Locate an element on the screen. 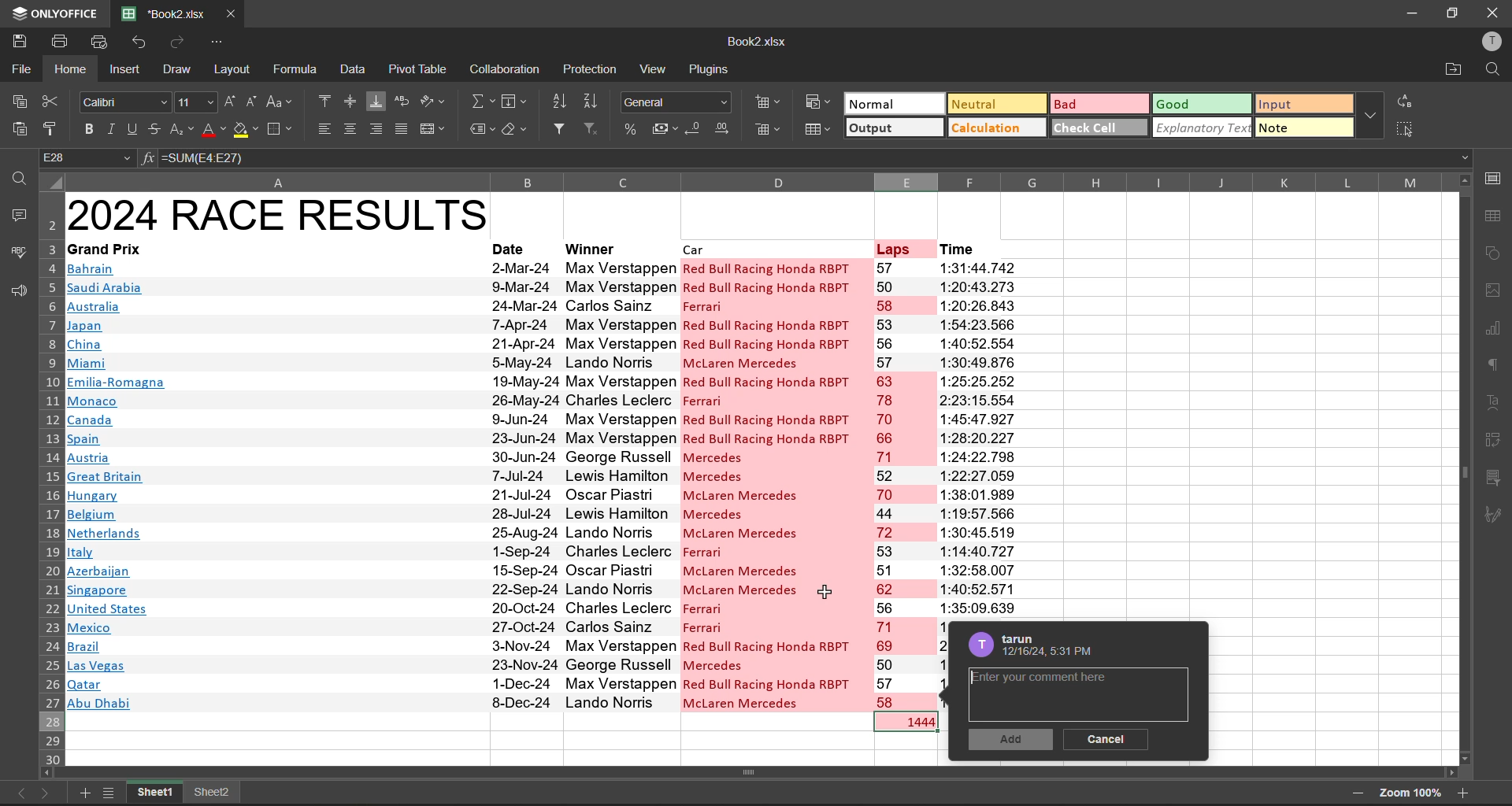 The width and height of the screenshot is (1512, 806). align top is located at coordinates (324, 100).